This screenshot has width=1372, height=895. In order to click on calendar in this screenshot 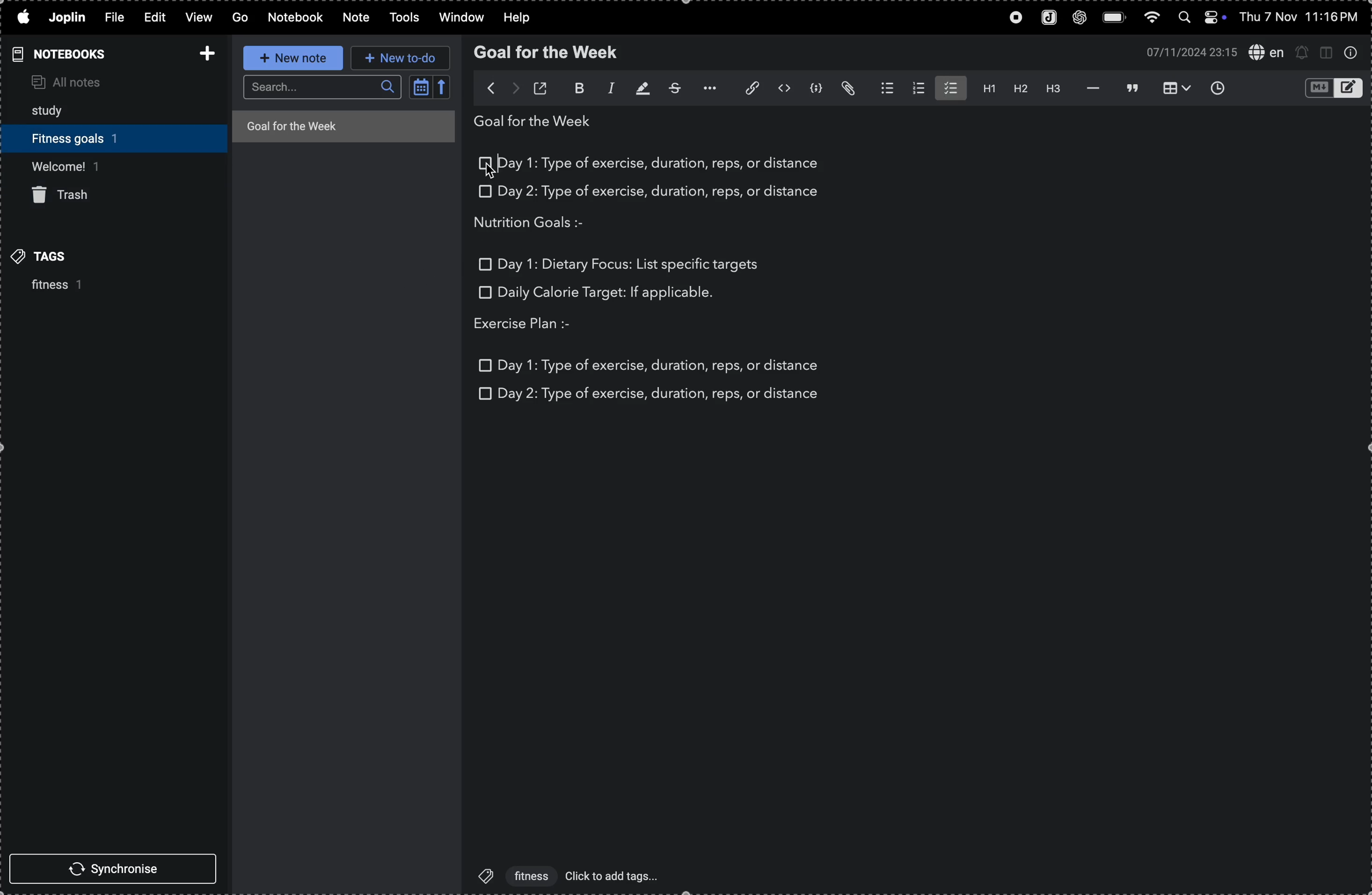, I will do `click(430, 89)`.